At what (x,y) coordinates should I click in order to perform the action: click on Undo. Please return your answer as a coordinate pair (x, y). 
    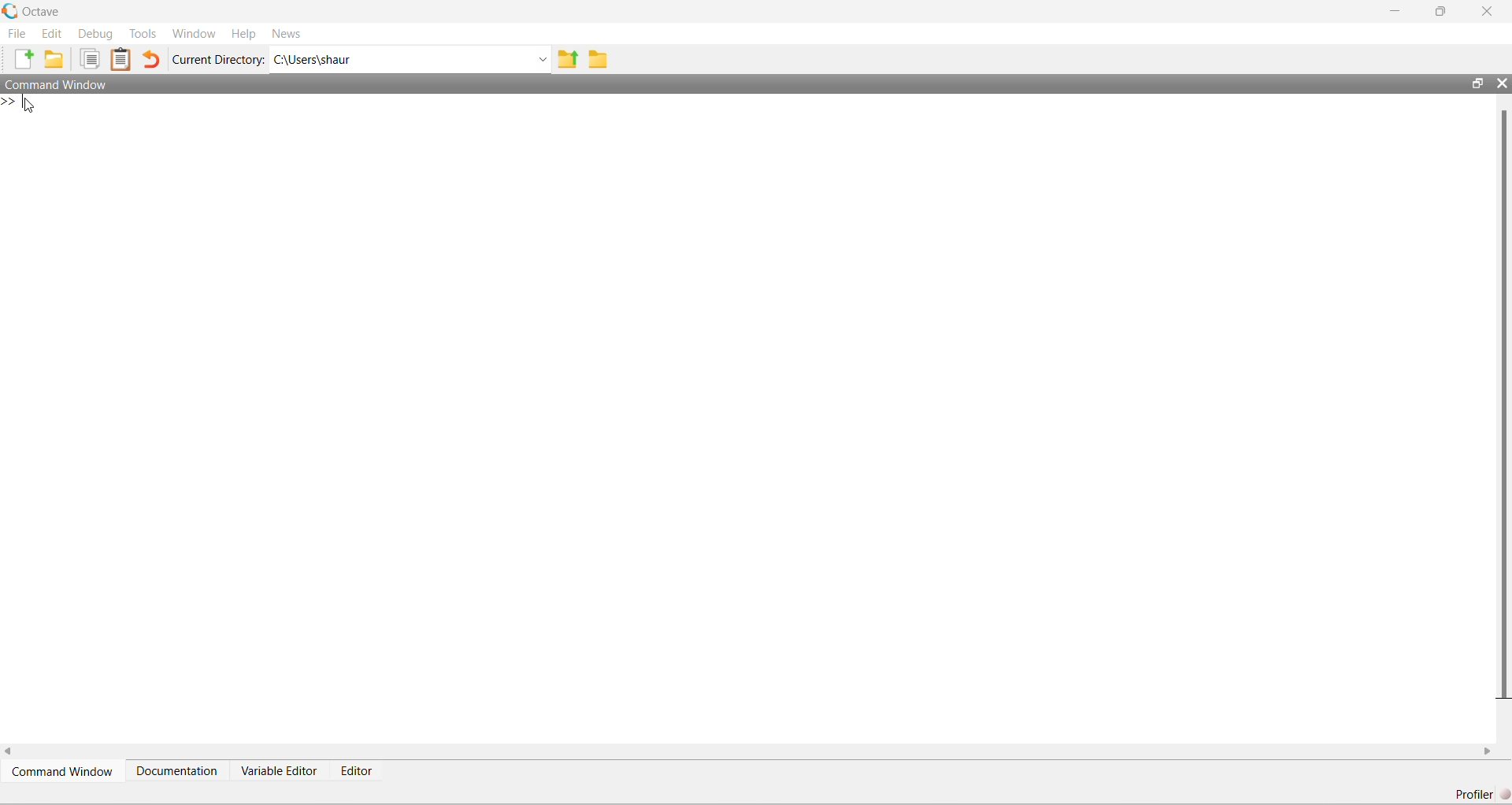
    Looking at the image, I should click on (152, 59).